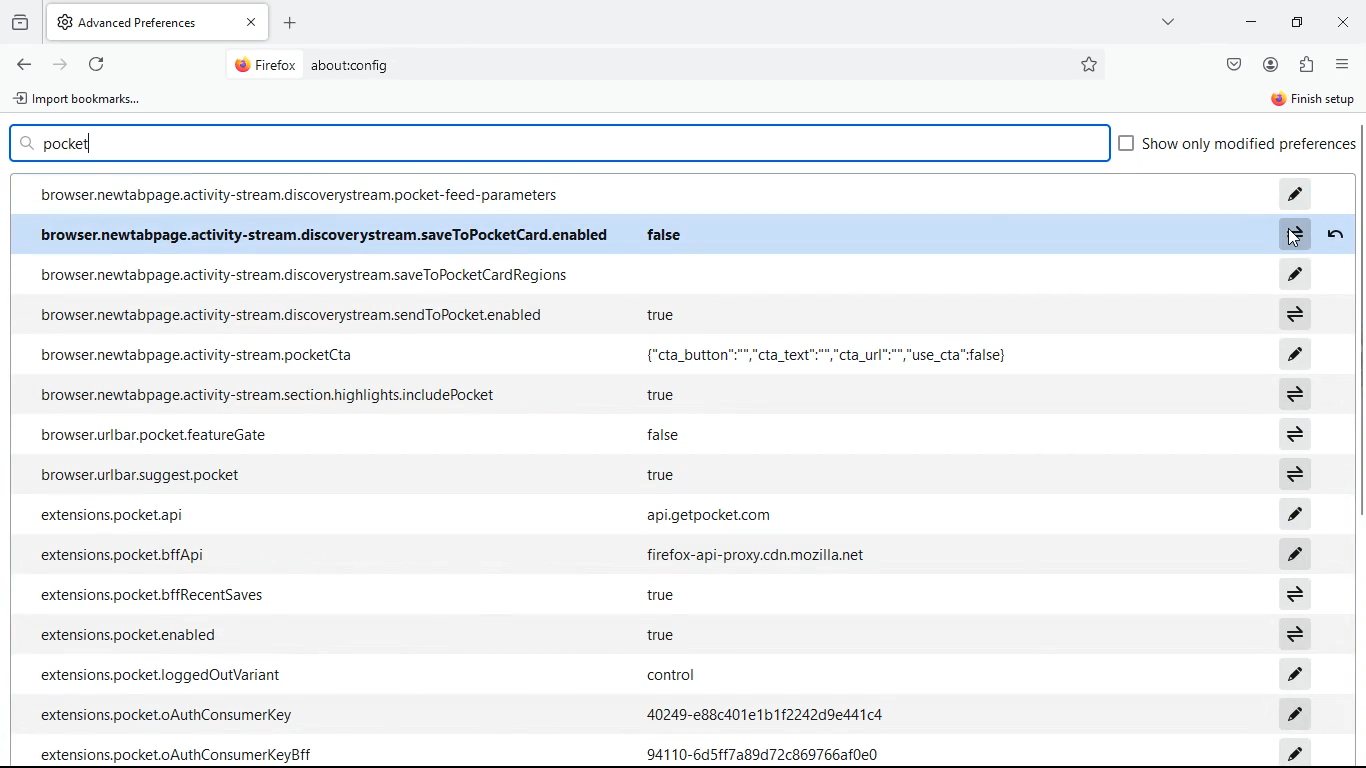 The image size is (1366, 768). What do you see at coordinates (658, 65) in the screenshot?
I see `Search bar` at bounding box center [658, 65].